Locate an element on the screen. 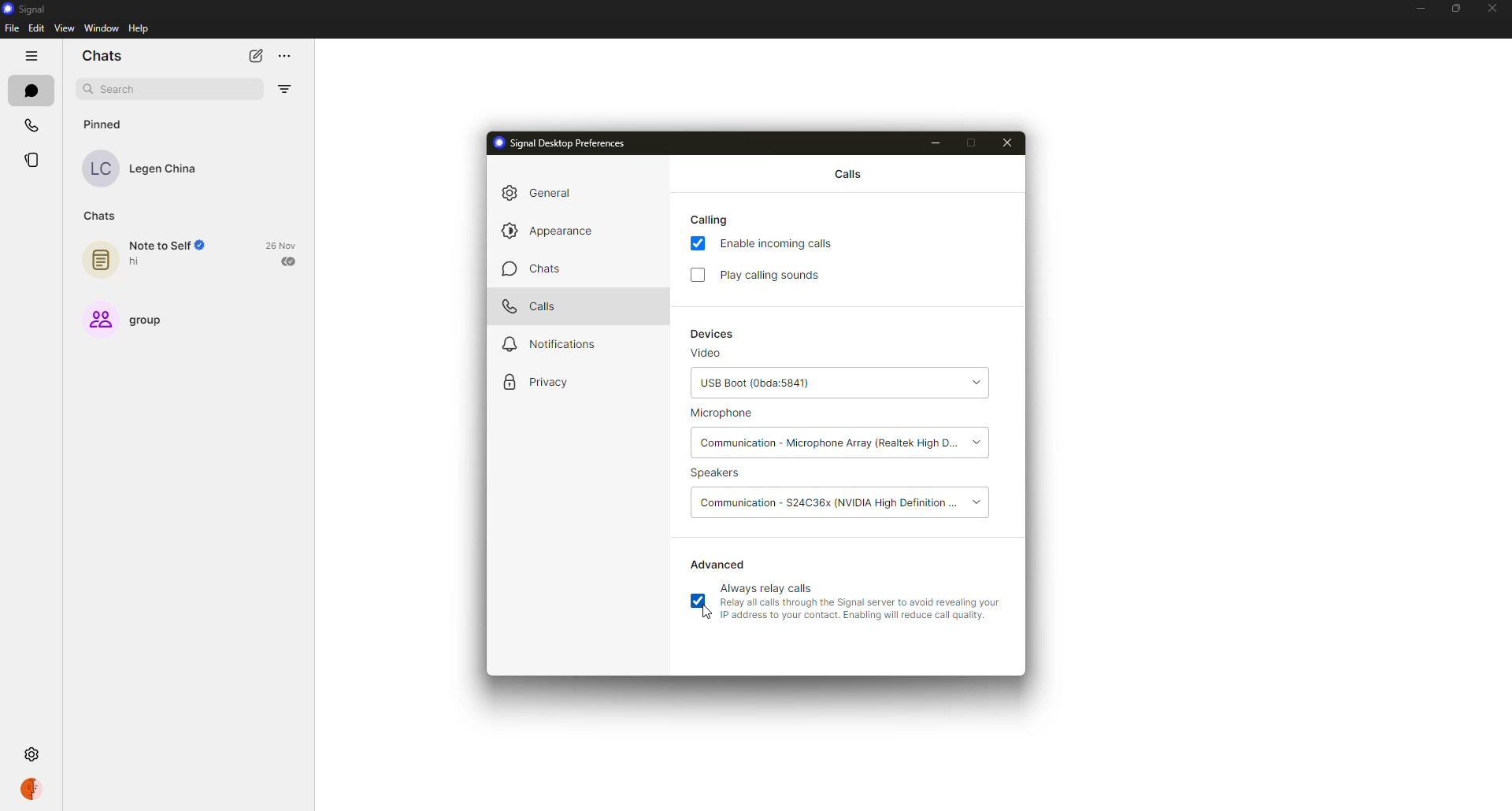 The height and width of the screenshot is (811, 1512). profile is located at coordinates (31, 791).